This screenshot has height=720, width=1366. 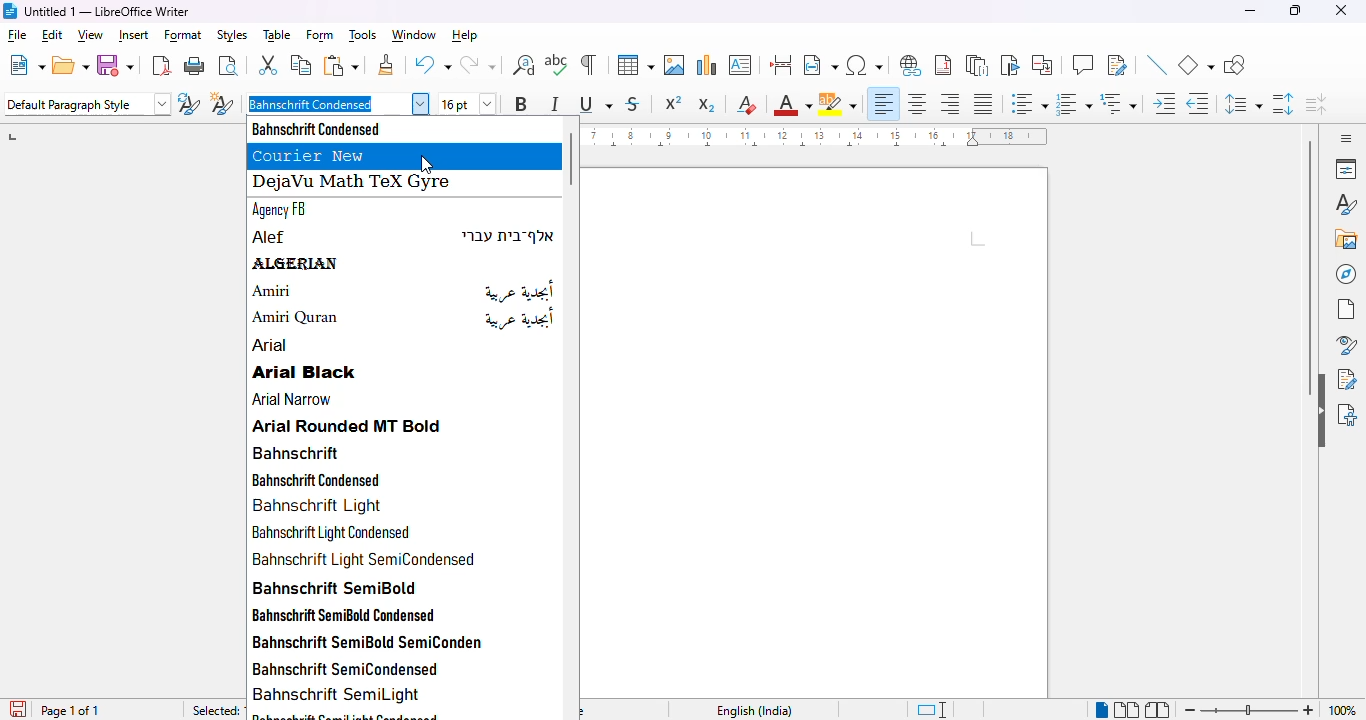 I want to click on clone formatting, so click(x=386, y=63).